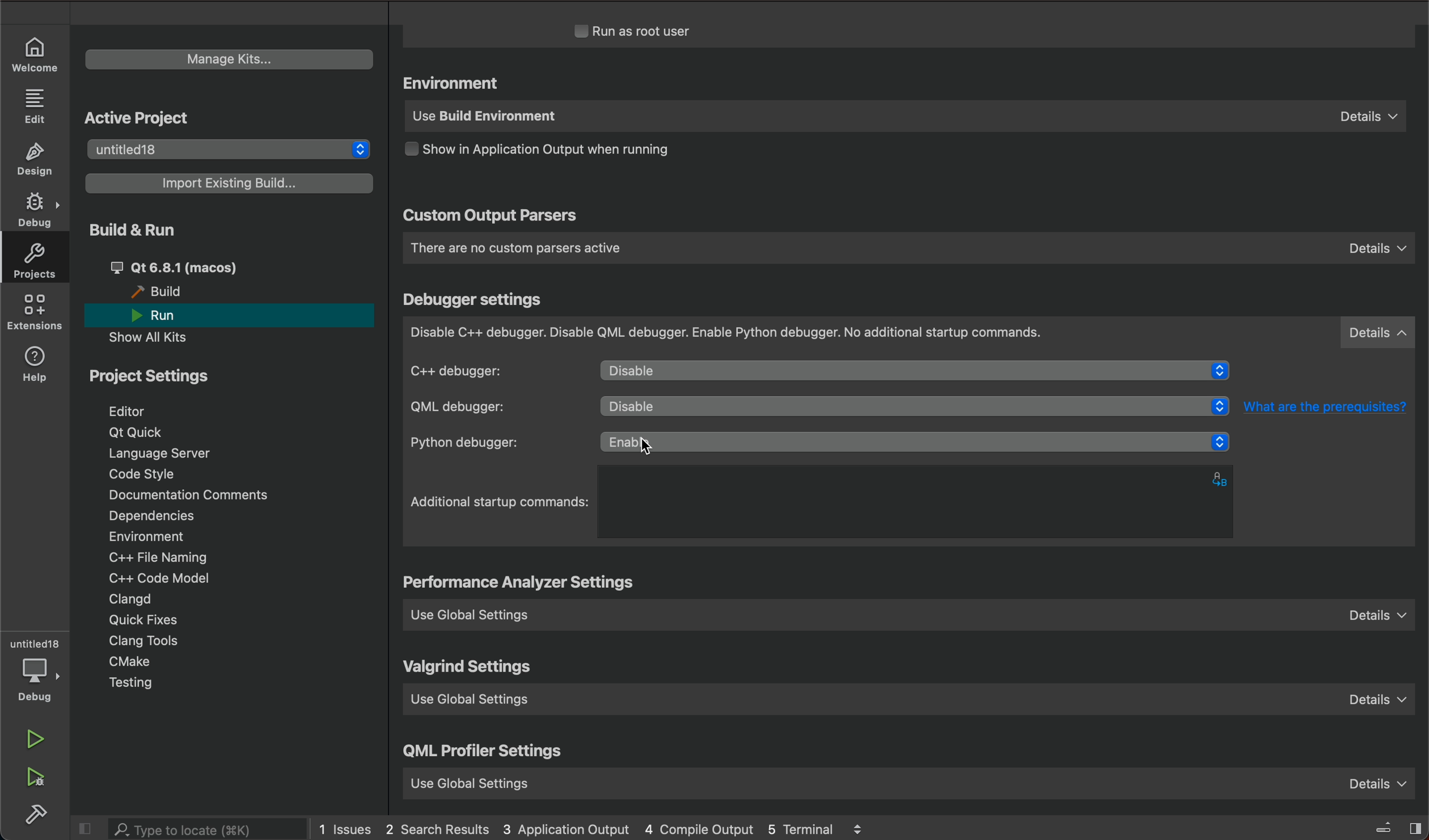  What do you see at coordinates (484, 754) in the screenshot?
I see `qml ` at bounding box center [484, 754].